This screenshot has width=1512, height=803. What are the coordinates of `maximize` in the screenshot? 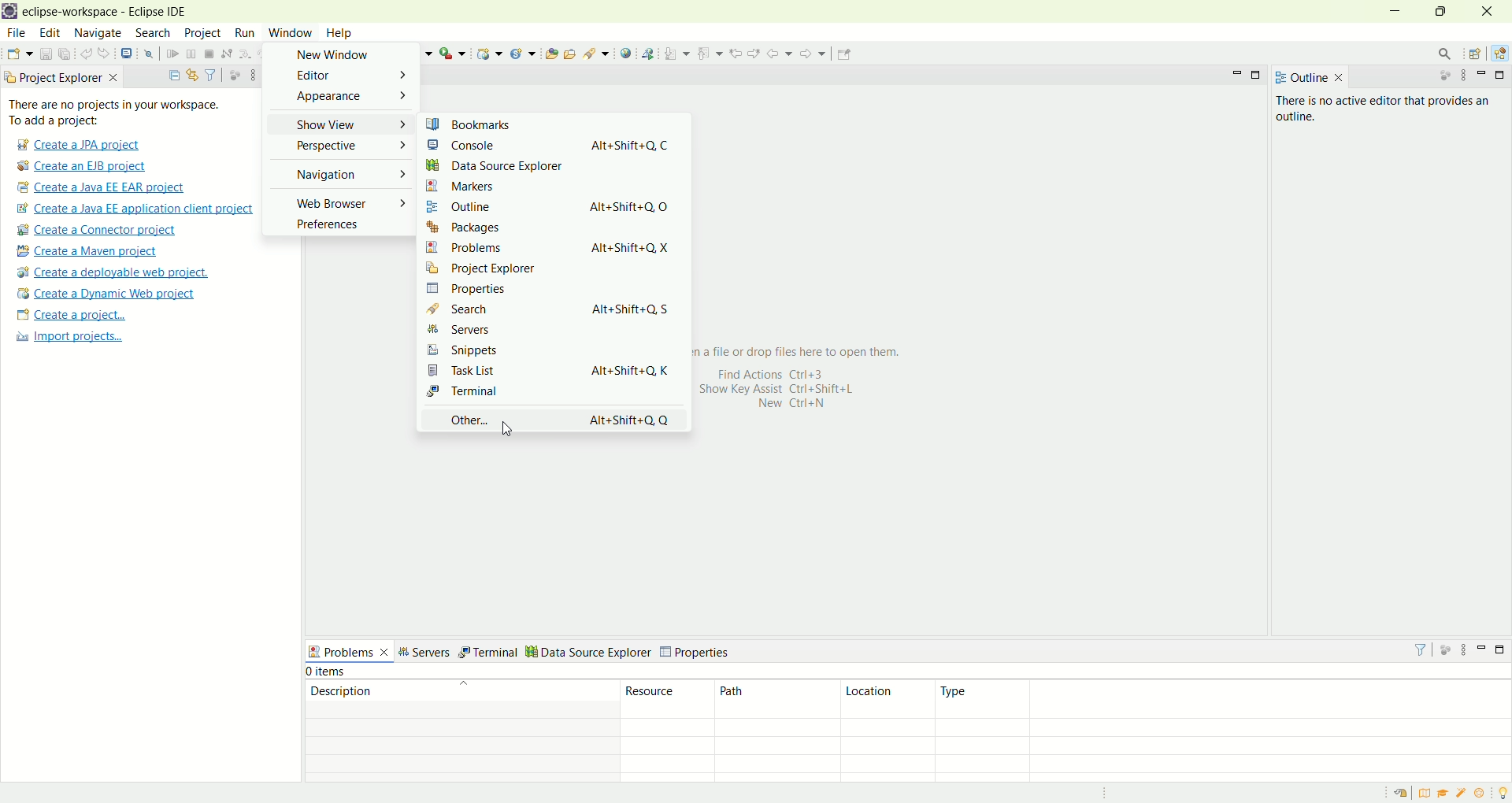 It's located at (1500, 651).